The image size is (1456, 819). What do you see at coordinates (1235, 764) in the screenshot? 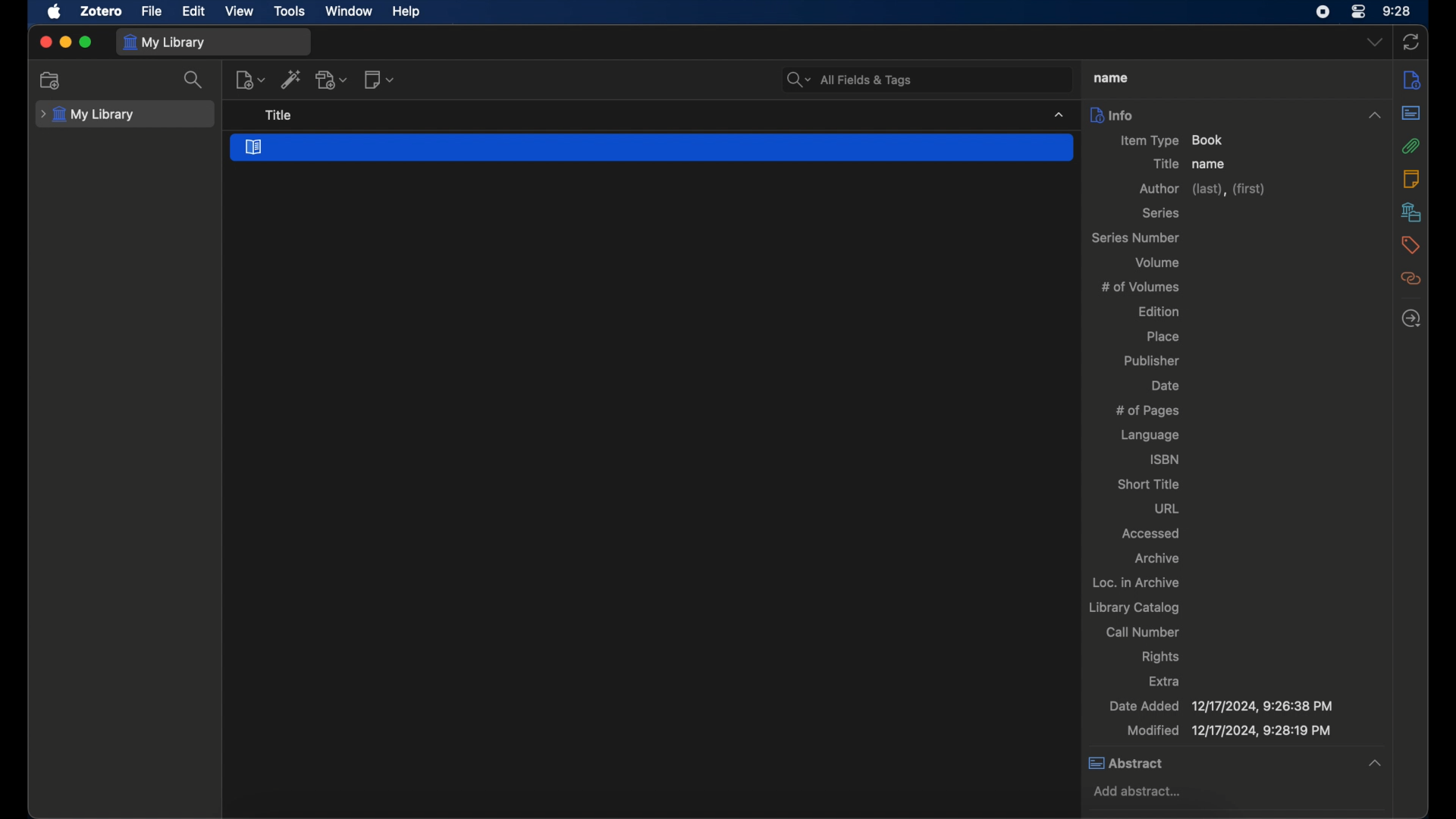
I see `abstract` at bounding box center [1235, 764].